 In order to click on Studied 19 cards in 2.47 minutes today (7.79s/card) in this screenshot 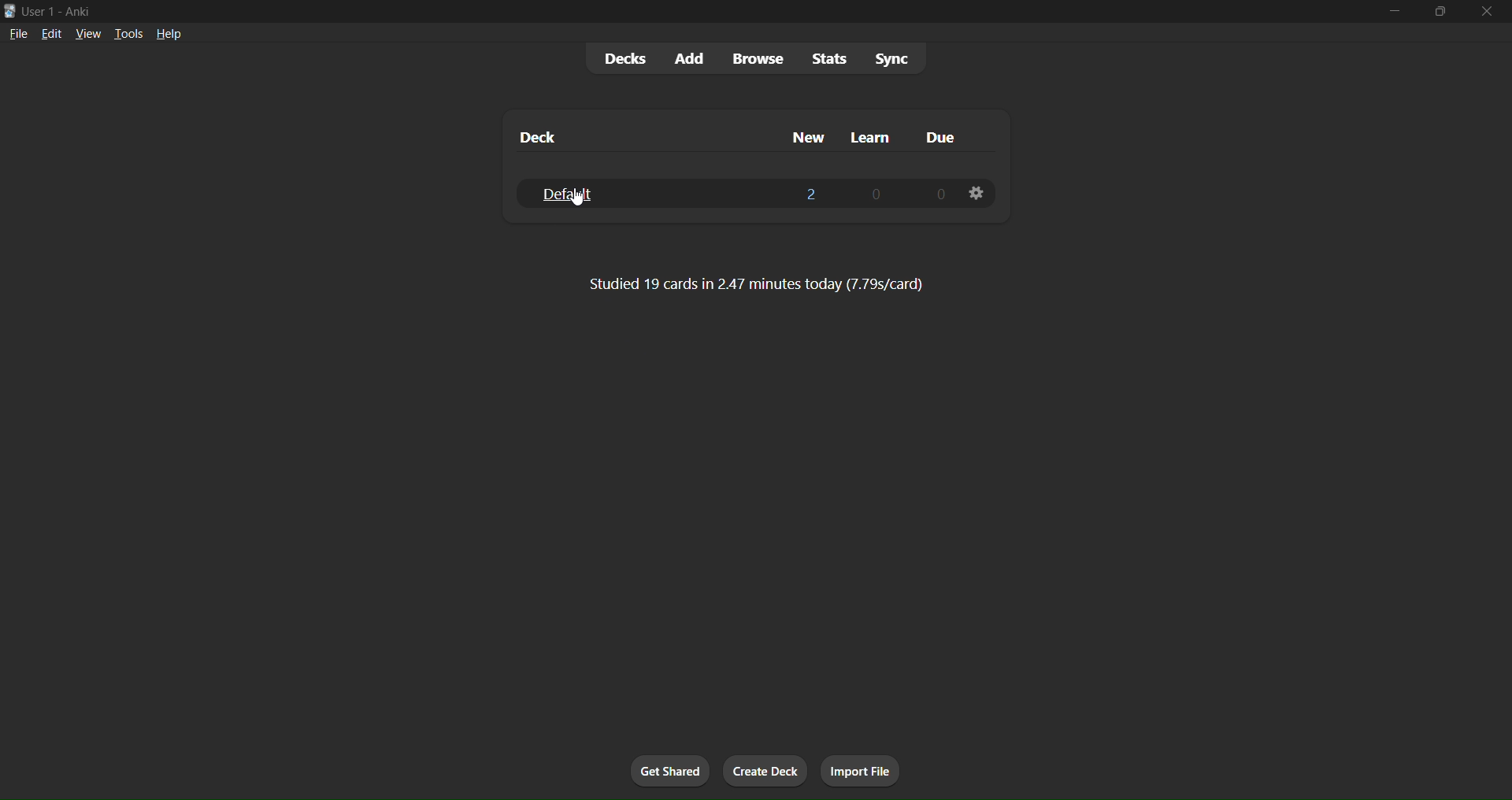, I will do `click(750, 283)`.